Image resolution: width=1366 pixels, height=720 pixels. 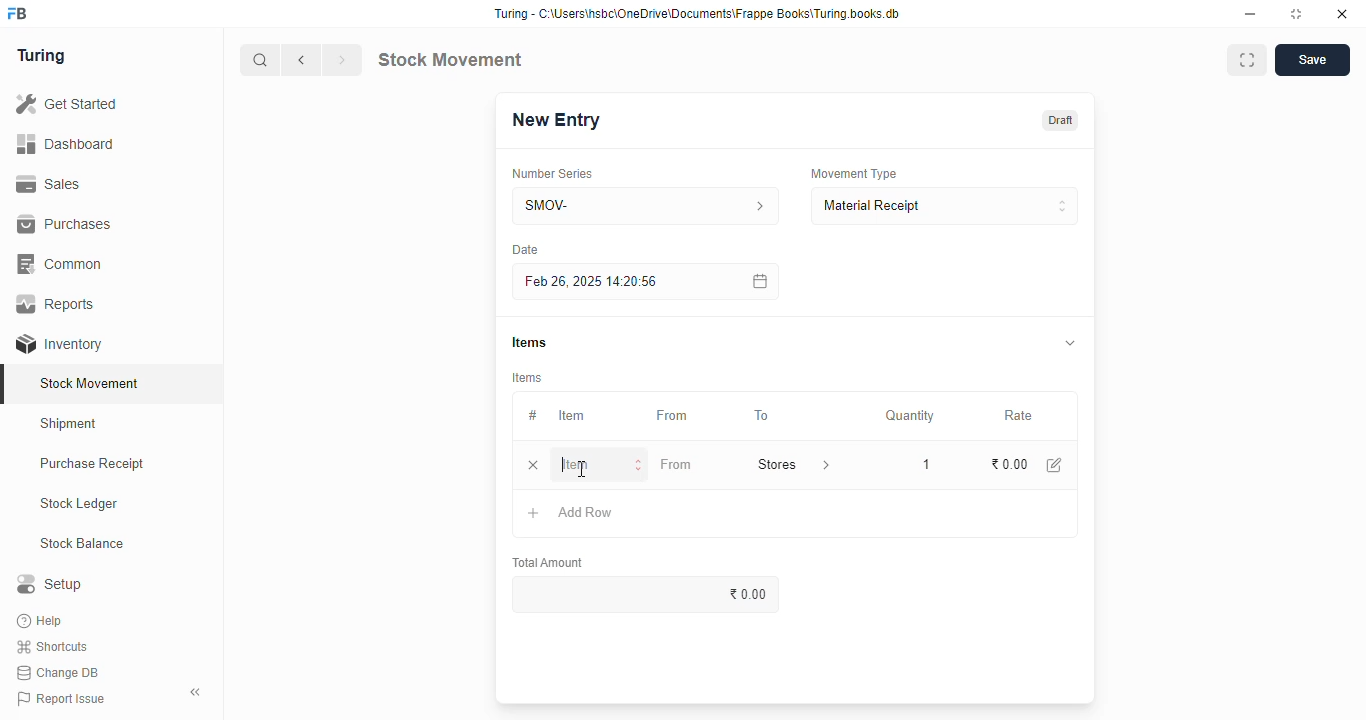 What do you see at coordinates (1313, 60) in the screenshot?
I see `save` at bounding box center [1313, 60].